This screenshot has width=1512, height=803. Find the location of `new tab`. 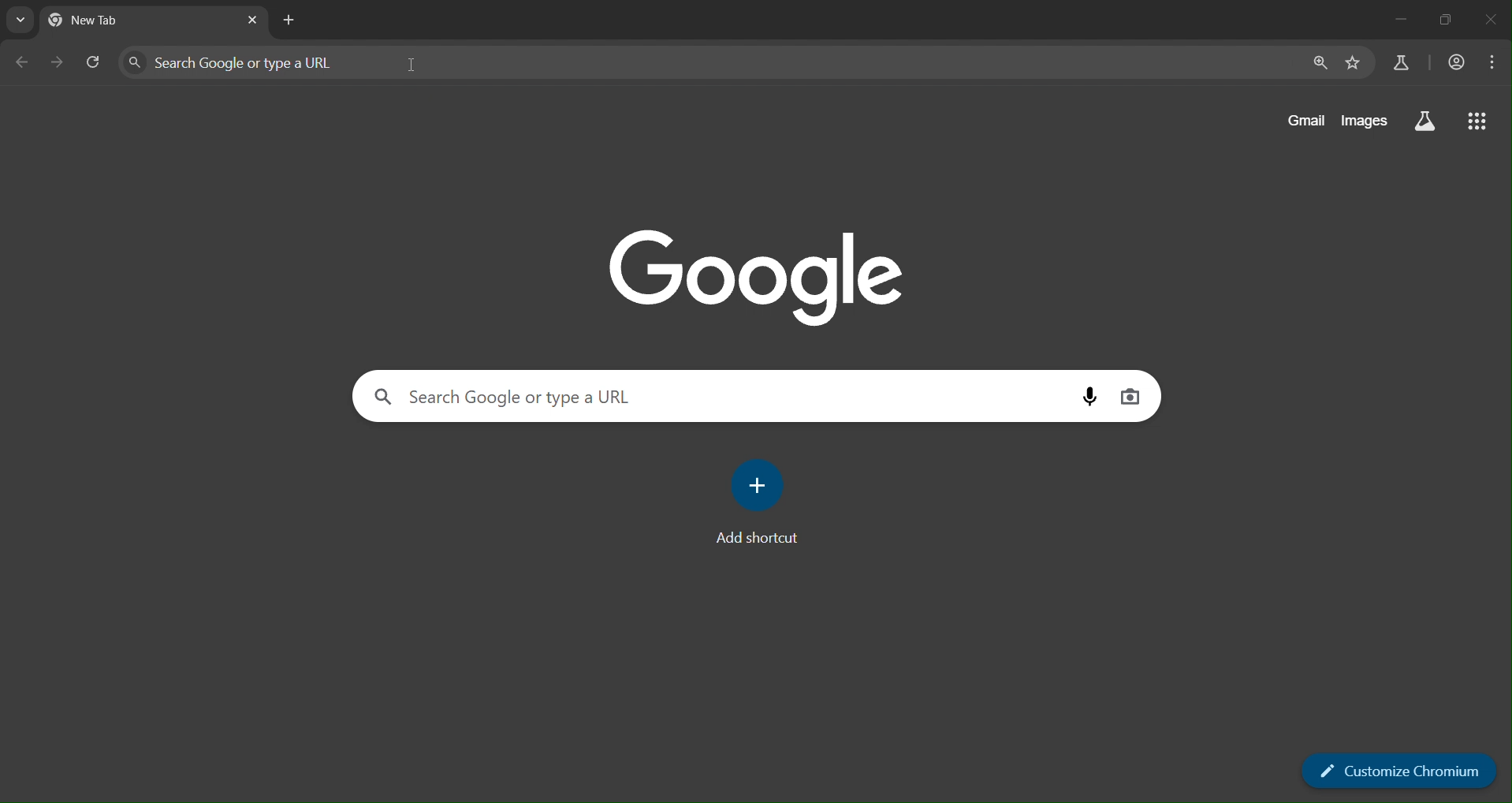

new tab is located at coordinates (292, 21).